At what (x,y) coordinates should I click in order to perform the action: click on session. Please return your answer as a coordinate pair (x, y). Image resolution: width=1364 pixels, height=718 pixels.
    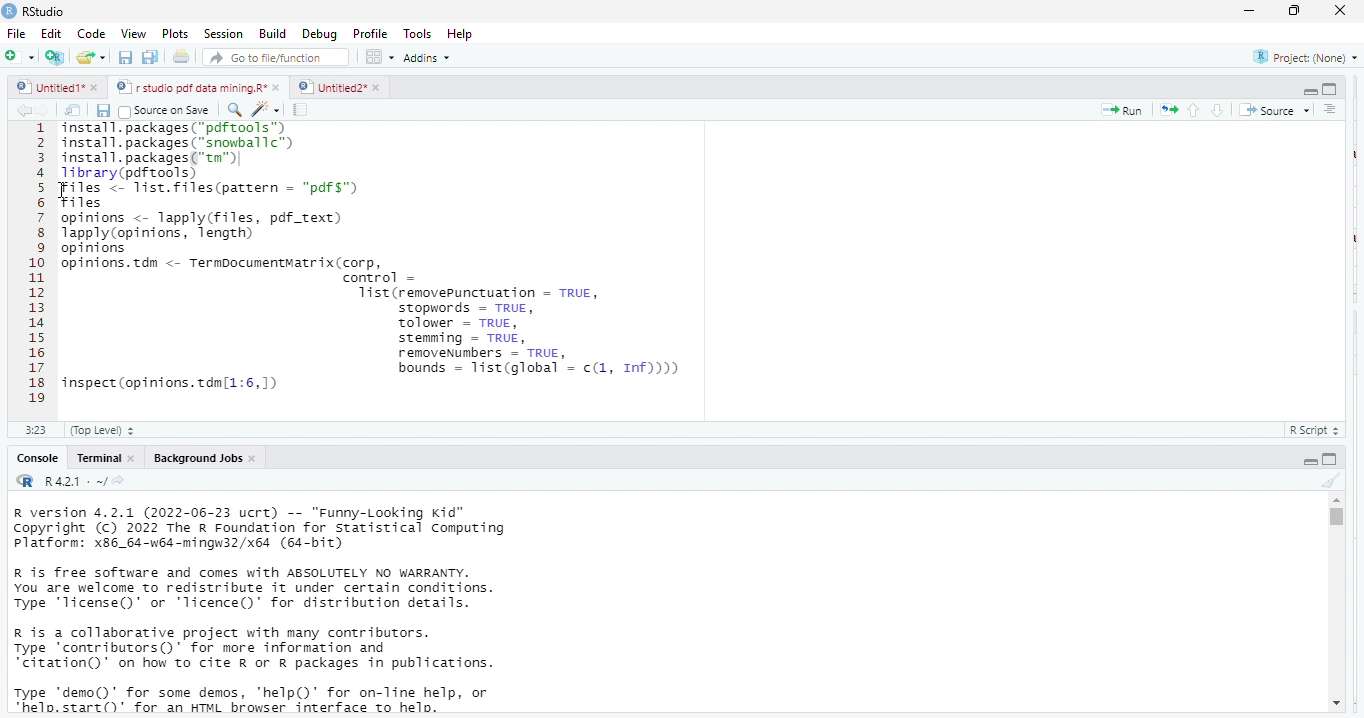
    Looking at the image, I should click on (222, 34).